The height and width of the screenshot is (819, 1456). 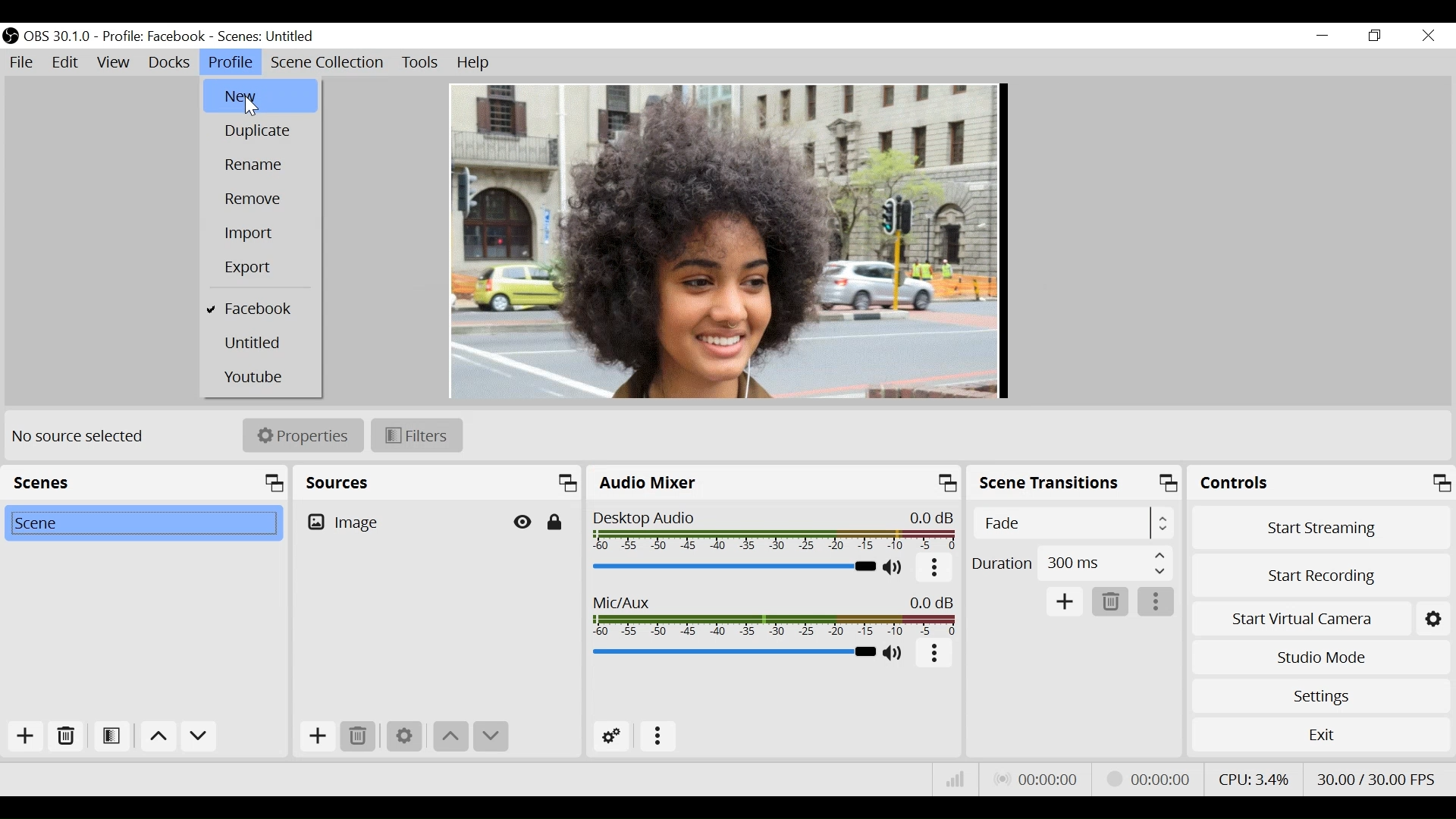 What do you see at coordinates (554, 522) in the screenshot?
I see `(Un)lock` at bounding box center [554, 522].